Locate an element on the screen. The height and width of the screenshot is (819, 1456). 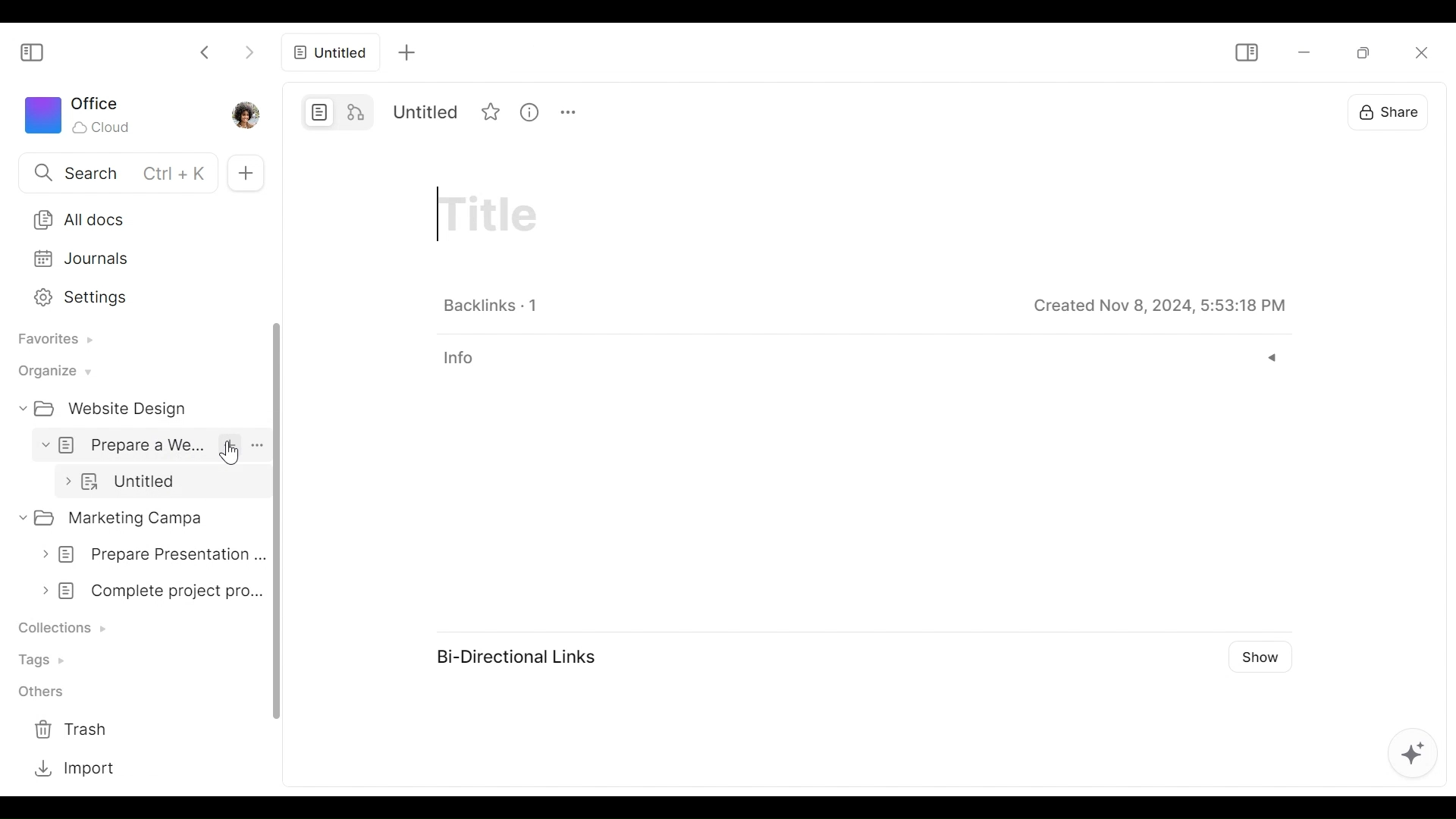
Document is located at coordinates (140, 517).